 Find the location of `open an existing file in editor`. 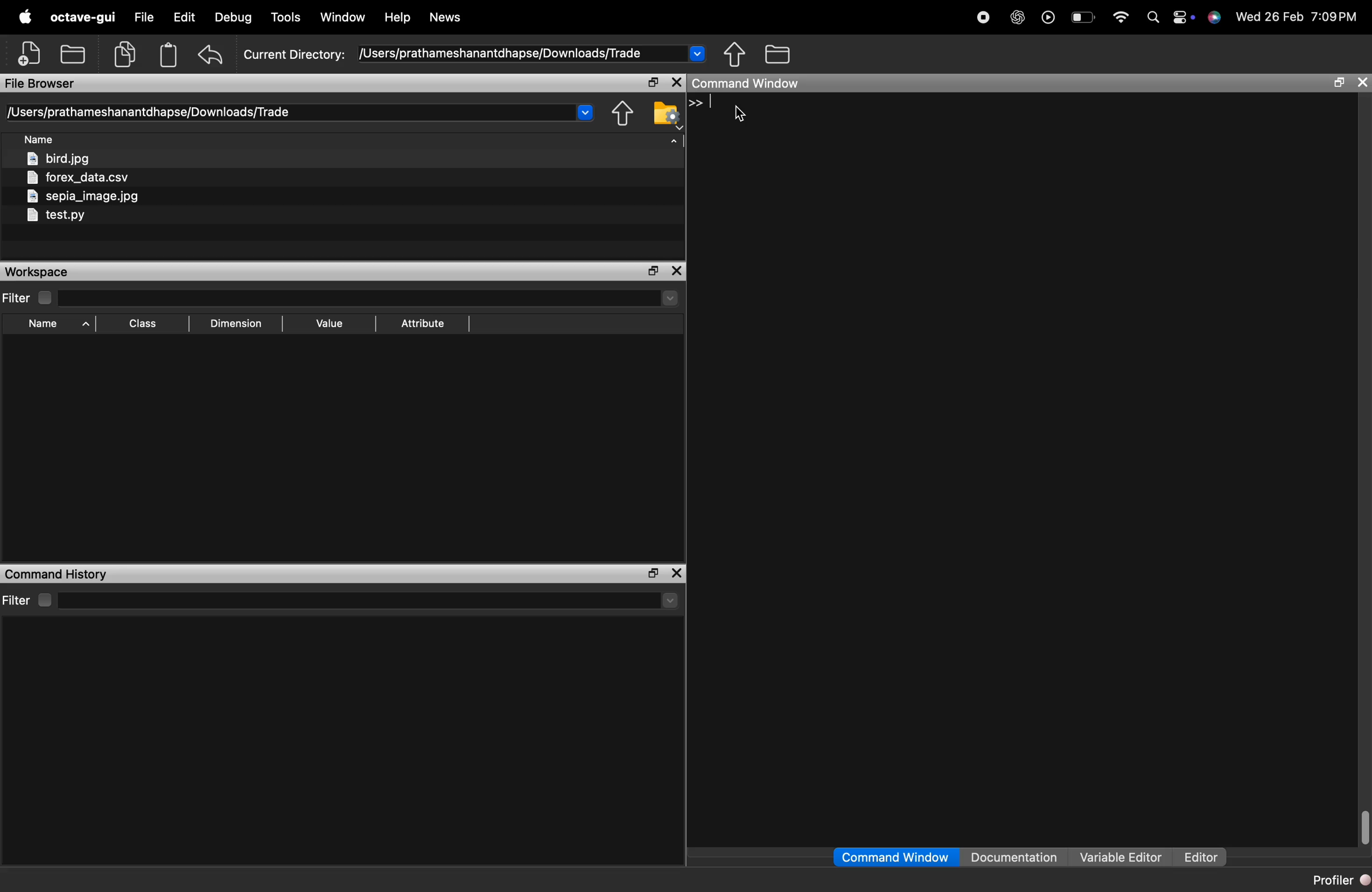

open an existing file in editor is located at coordinates (73, 54).